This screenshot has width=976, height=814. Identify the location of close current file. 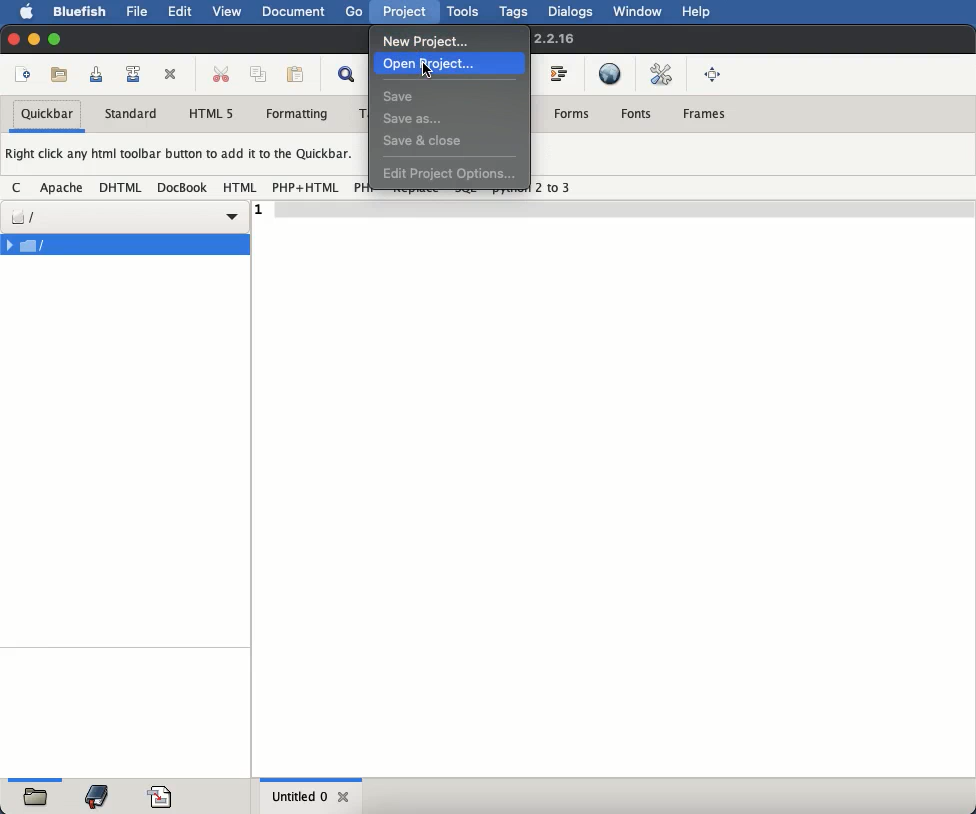
(172, 75).